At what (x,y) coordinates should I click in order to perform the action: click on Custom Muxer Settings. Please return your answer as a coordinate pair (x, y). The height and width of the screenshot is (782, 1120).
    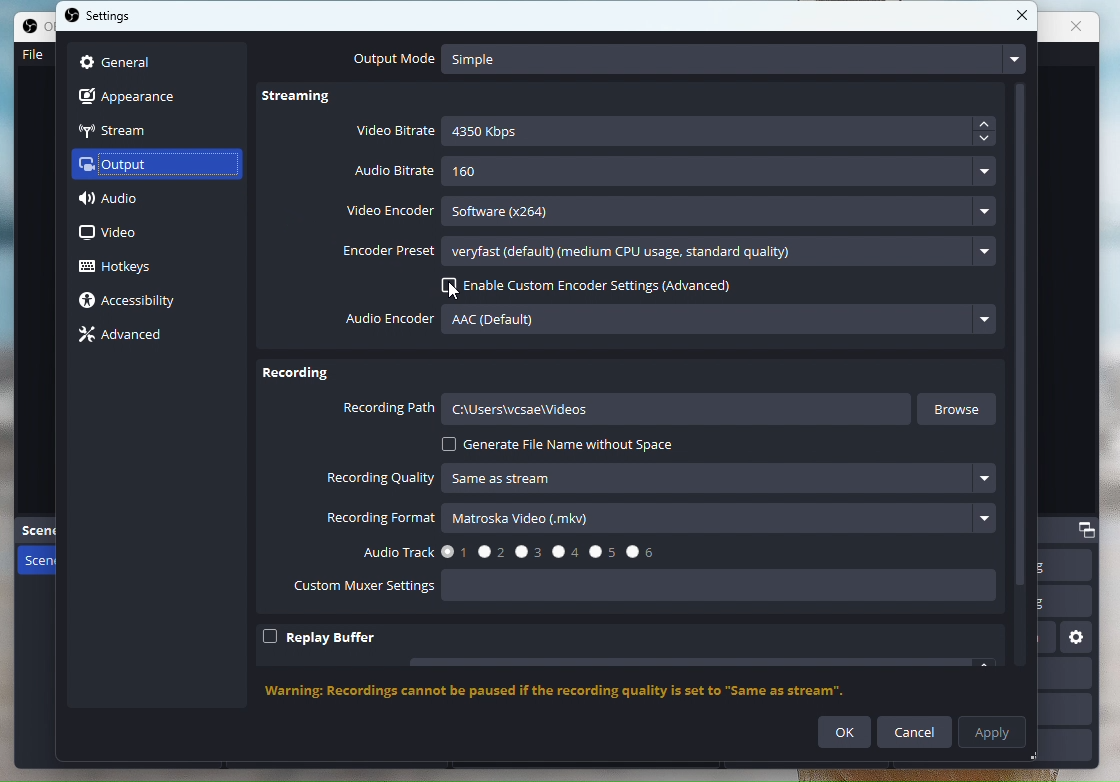
    Looking at the image, I should click on (640, 589).